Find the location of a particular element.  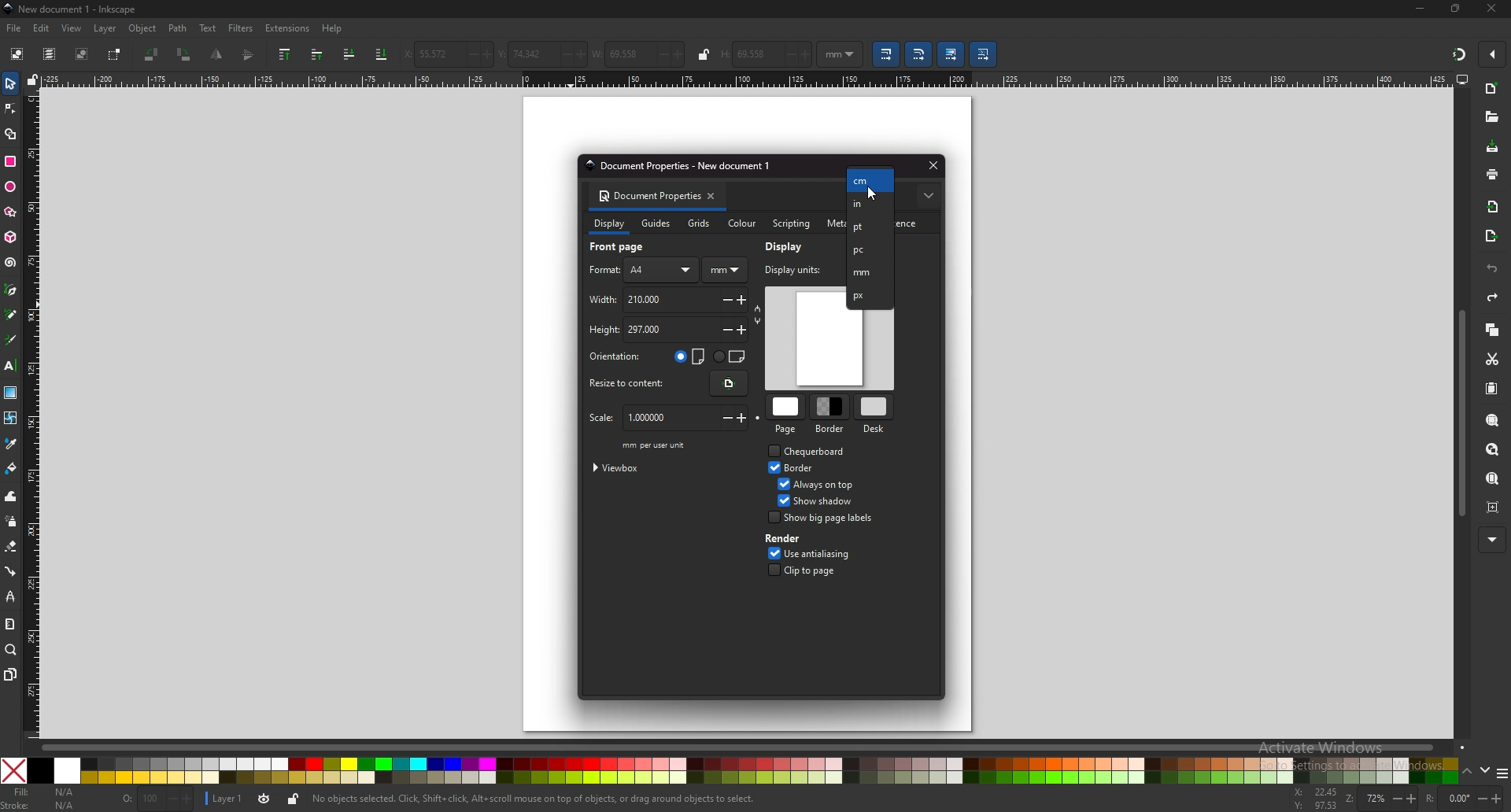

show big page labels is located at coordinates (830, 517).